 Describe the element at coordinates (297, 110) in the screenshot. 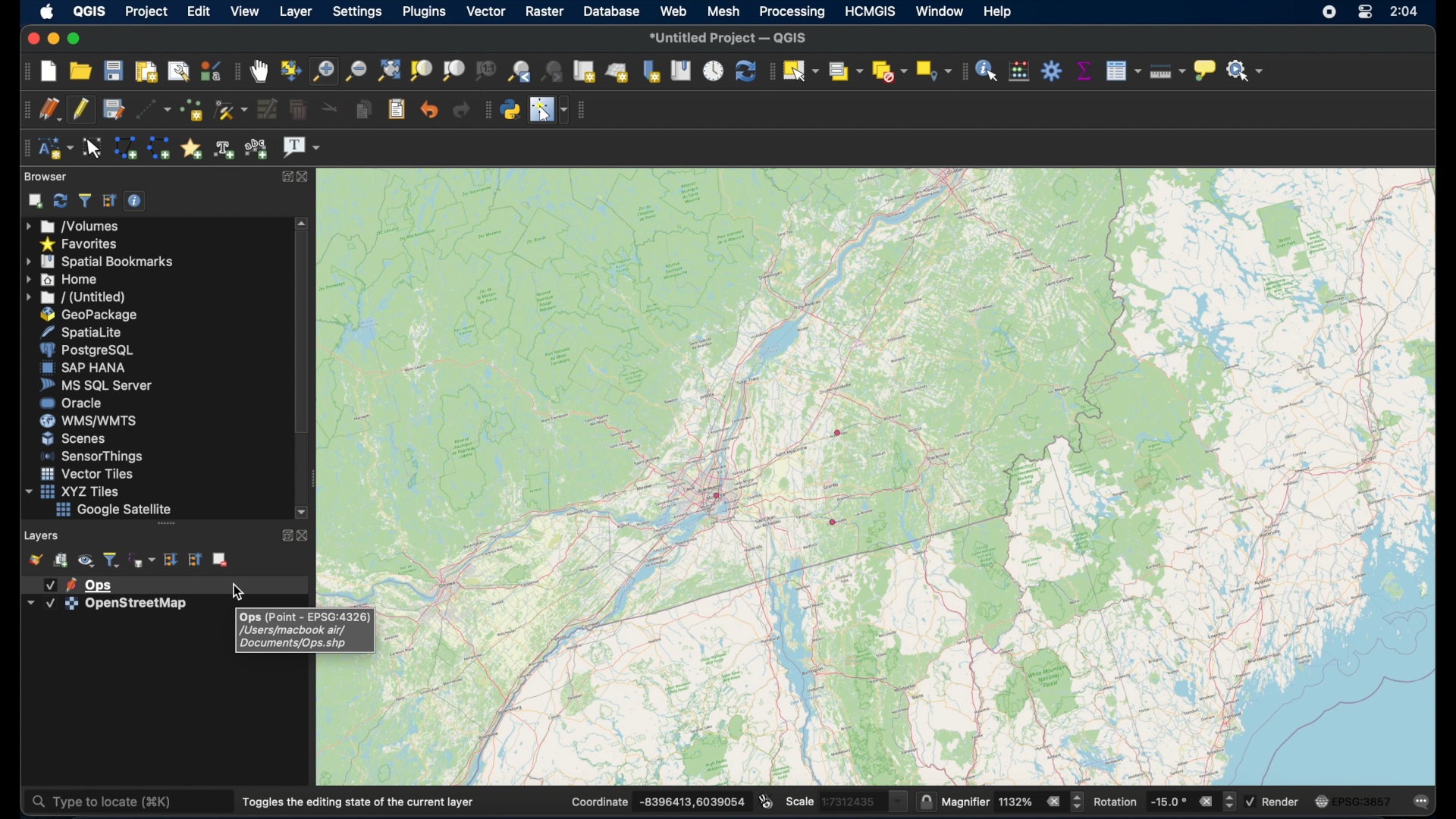

I see `delete selected` at that location.